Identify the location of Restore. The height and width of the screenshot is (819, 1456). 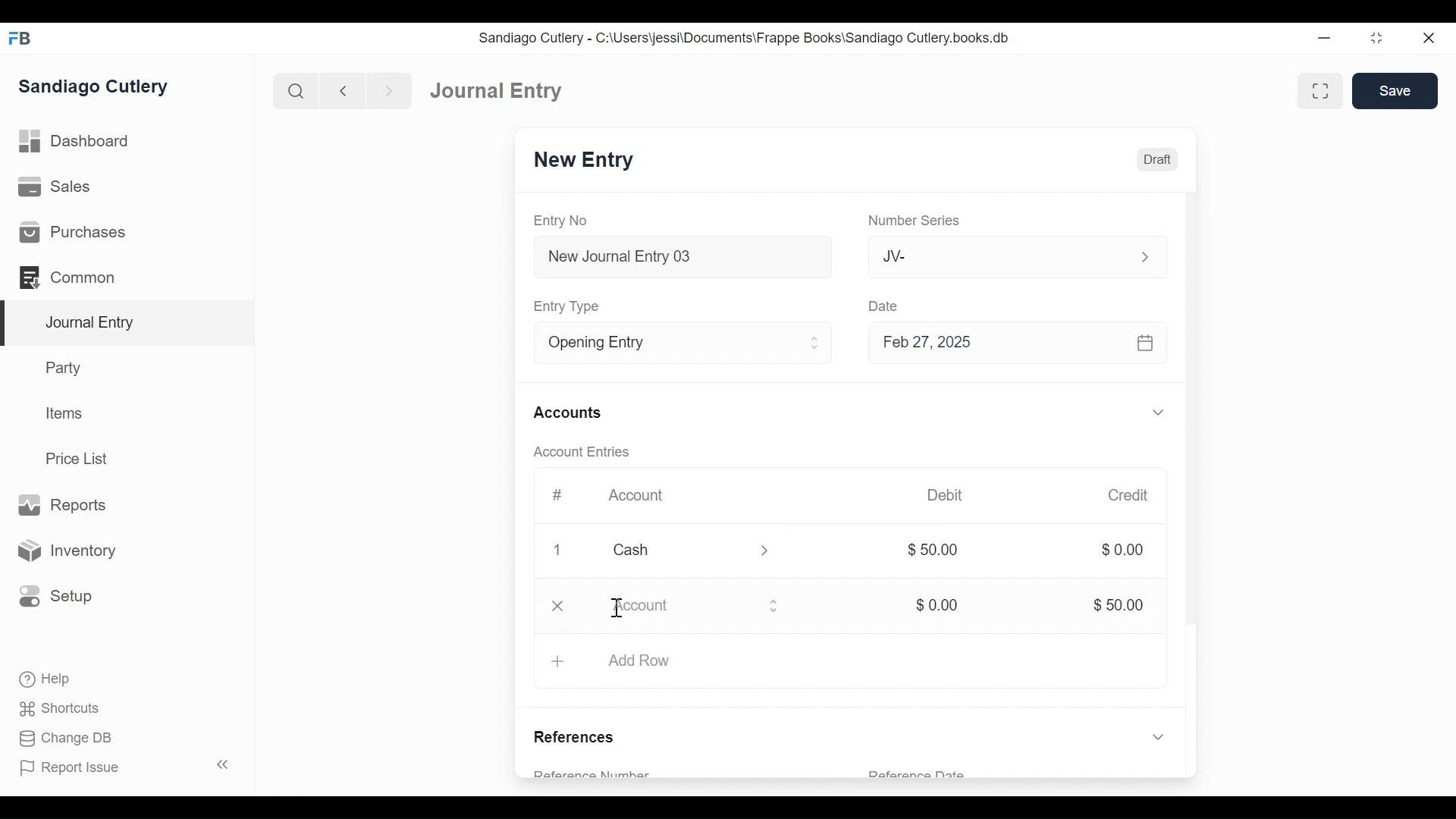
(1376, 37).